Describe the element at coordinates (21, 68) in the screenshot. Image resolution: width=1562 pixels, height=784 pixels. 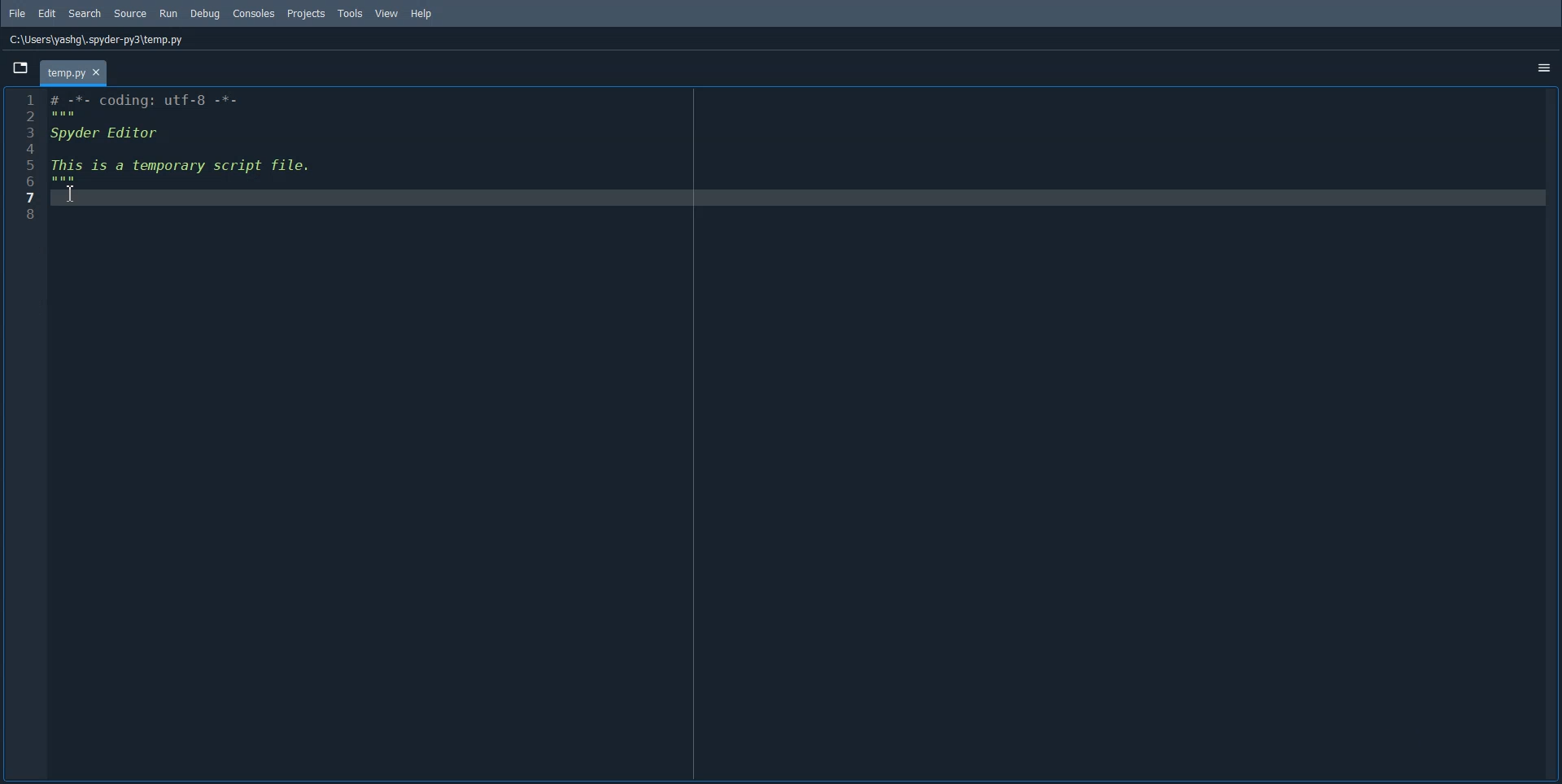
I see `Browse tab` at that location.